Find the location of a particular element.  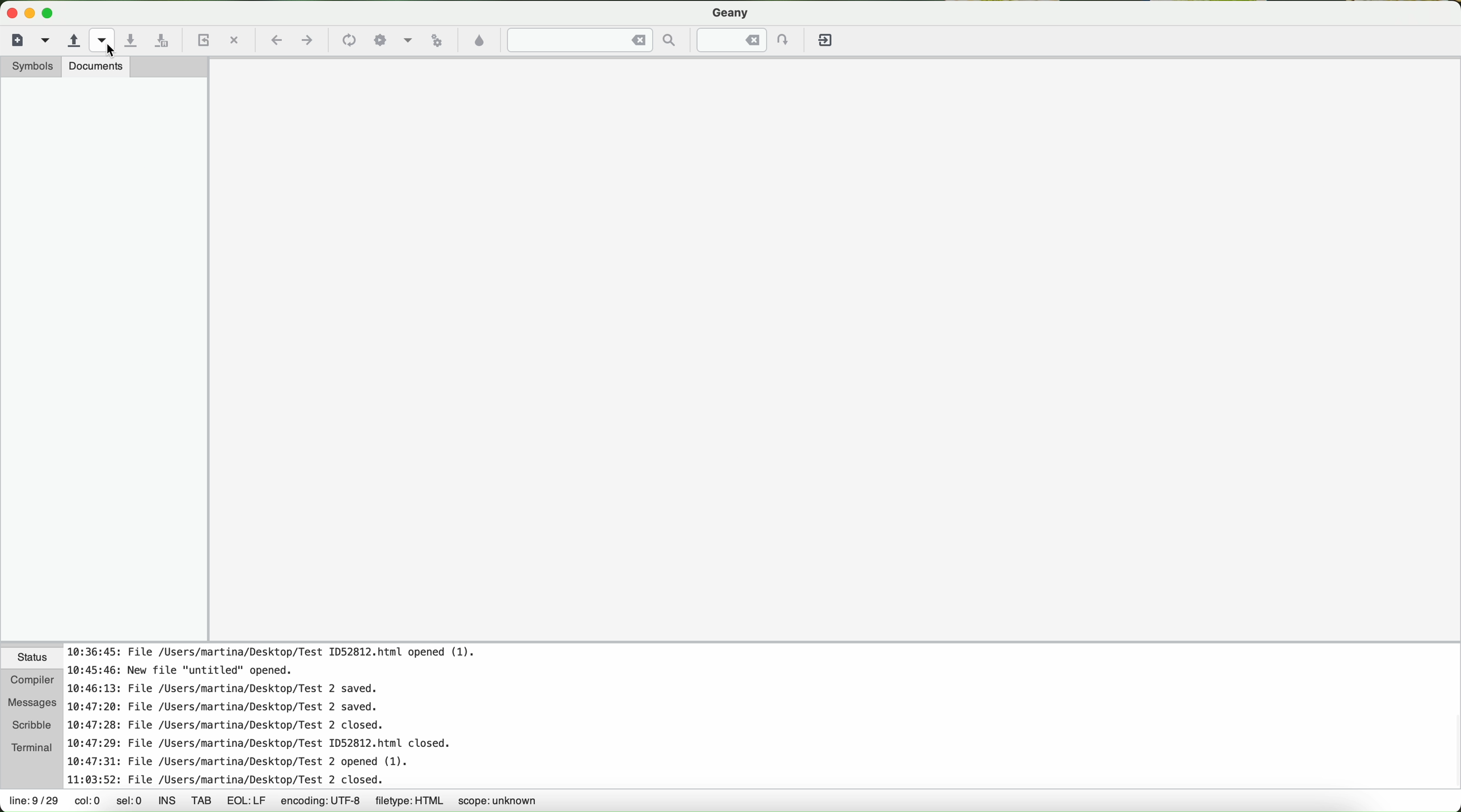

navigate foward is located at coordinates (307, 42).